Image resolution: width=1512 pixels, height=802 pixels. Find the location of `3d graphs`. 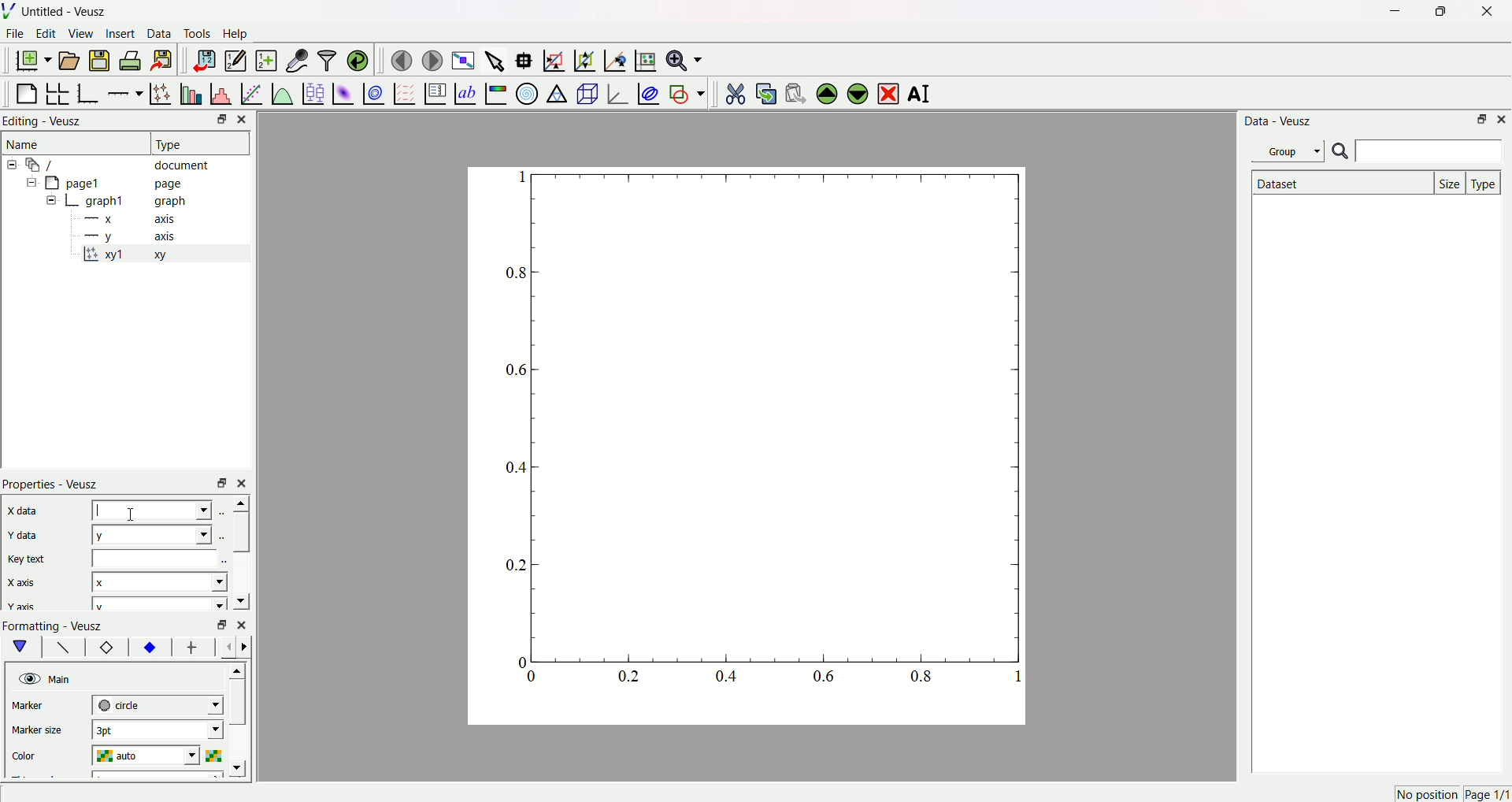

3d graphs is located at coordinates (617, 93).